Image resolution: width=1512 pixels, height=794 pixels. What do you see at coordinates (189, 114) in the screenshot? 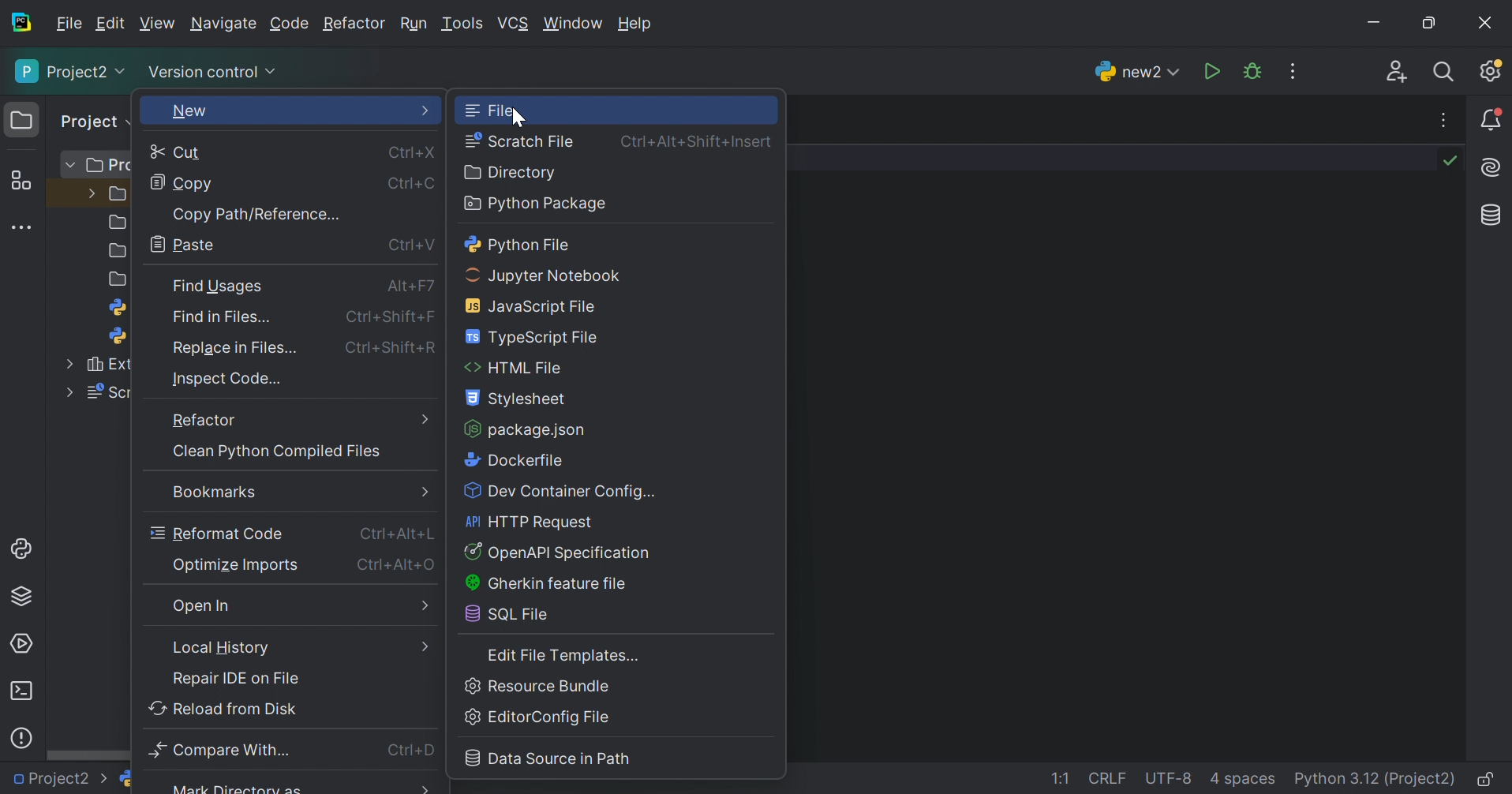
I see `New` at bounding box center [189, 114].